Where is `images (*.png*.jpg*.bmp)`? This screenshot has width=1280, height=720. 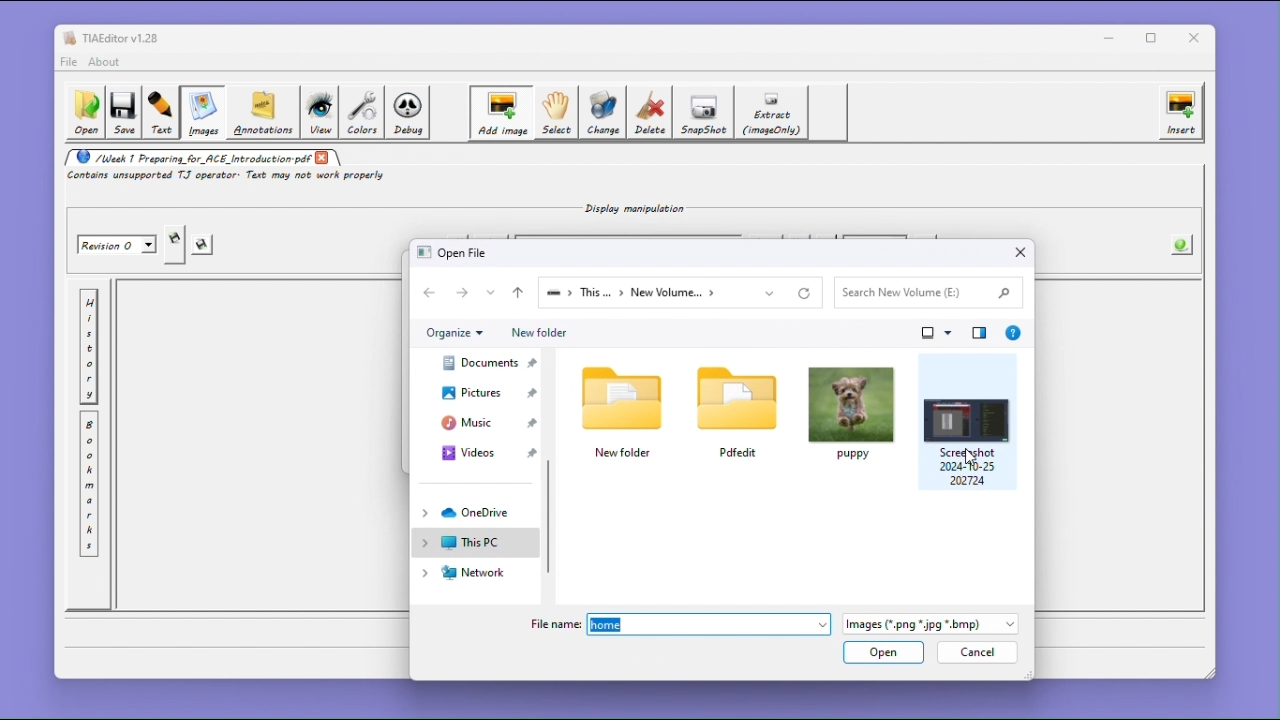
images (*.png*.jpg*.bmp) is located at coordinates (930, 626).